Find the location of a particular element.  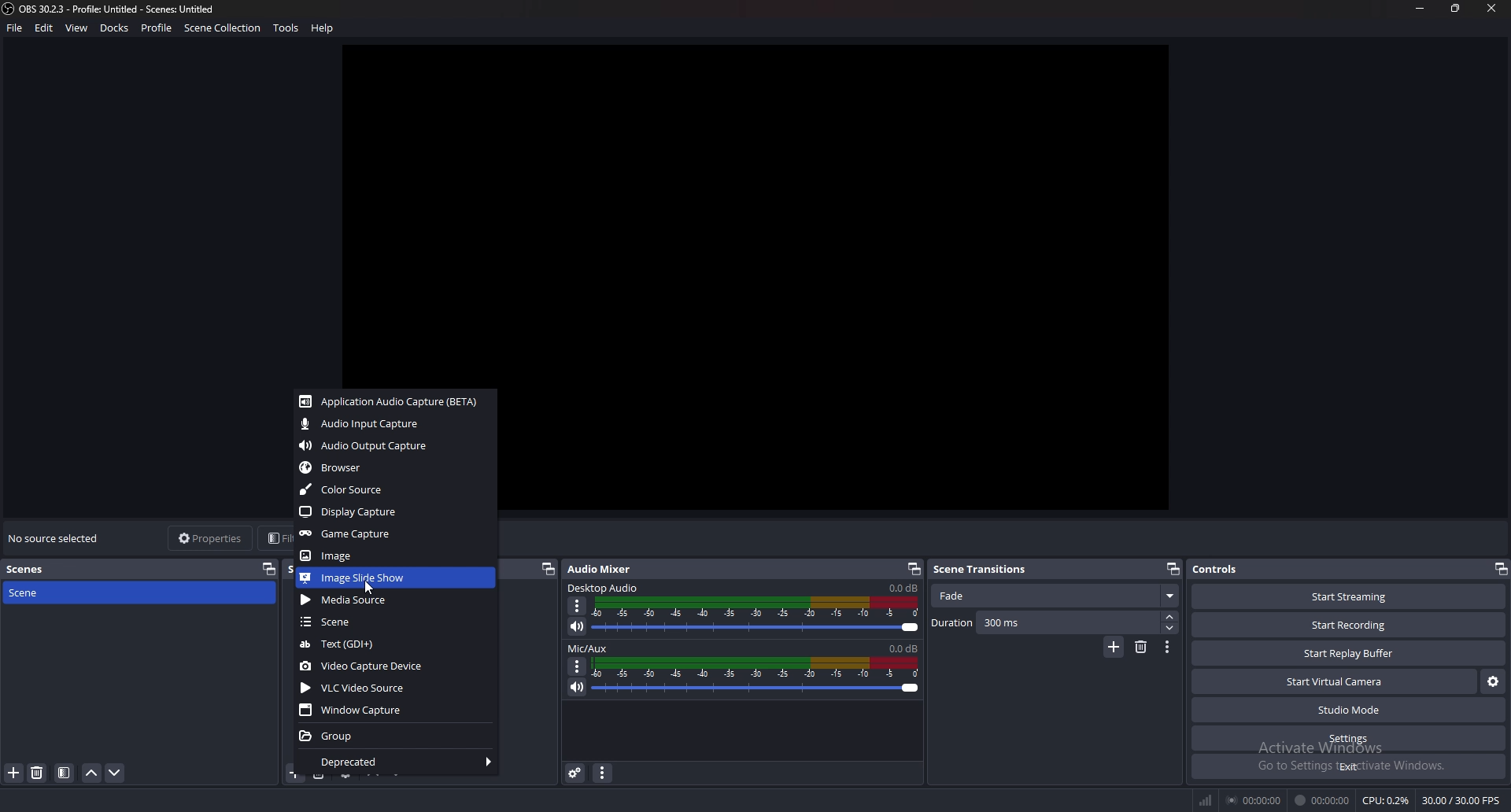

color source is located at coordinates (394, 490).